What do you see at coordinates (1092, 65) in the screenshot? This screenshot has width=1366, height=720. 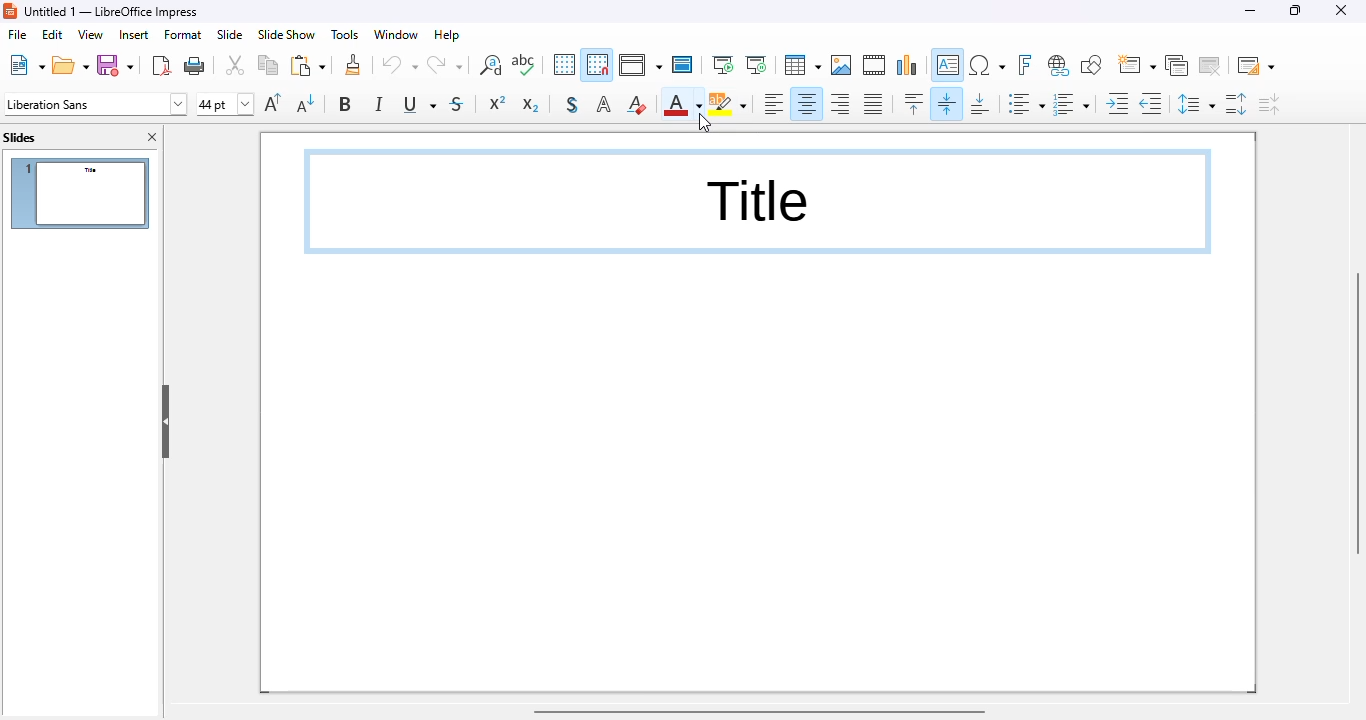 I see `show draw functions` at bounding box center [1092, 65].